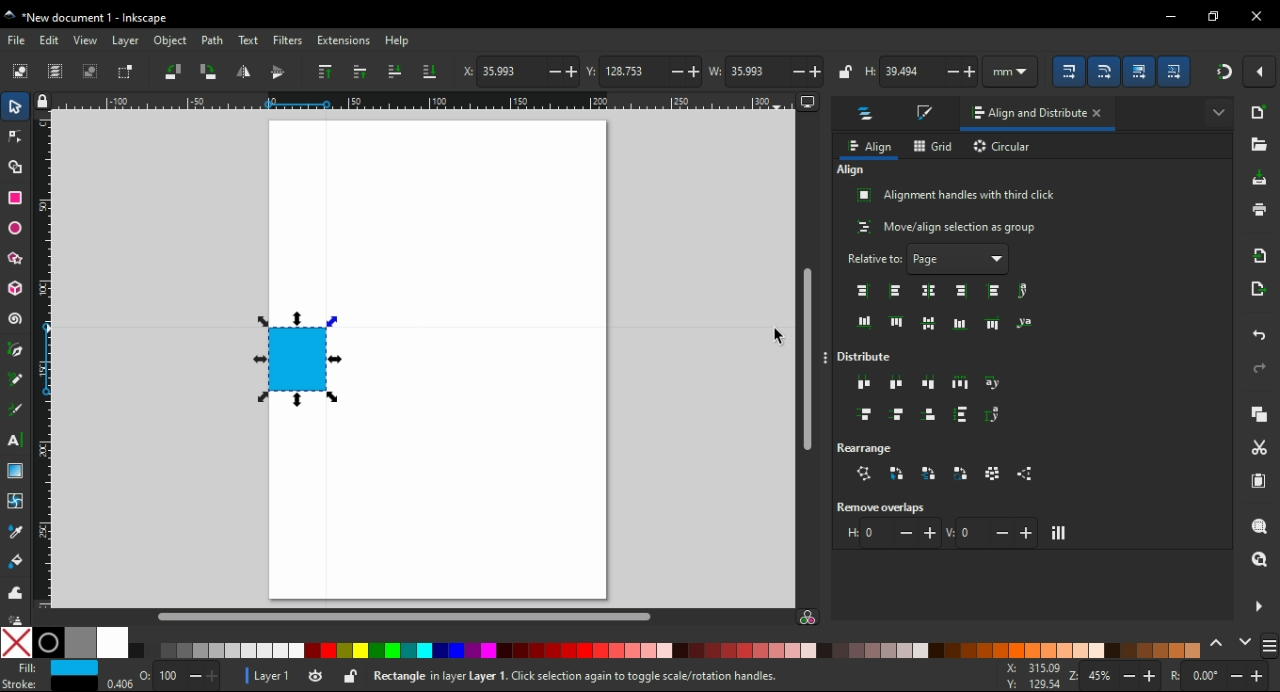 The image size is (1280, 692). Describe the element at coordinates (826, 360) in the screenshot. I see `more options` at that location.